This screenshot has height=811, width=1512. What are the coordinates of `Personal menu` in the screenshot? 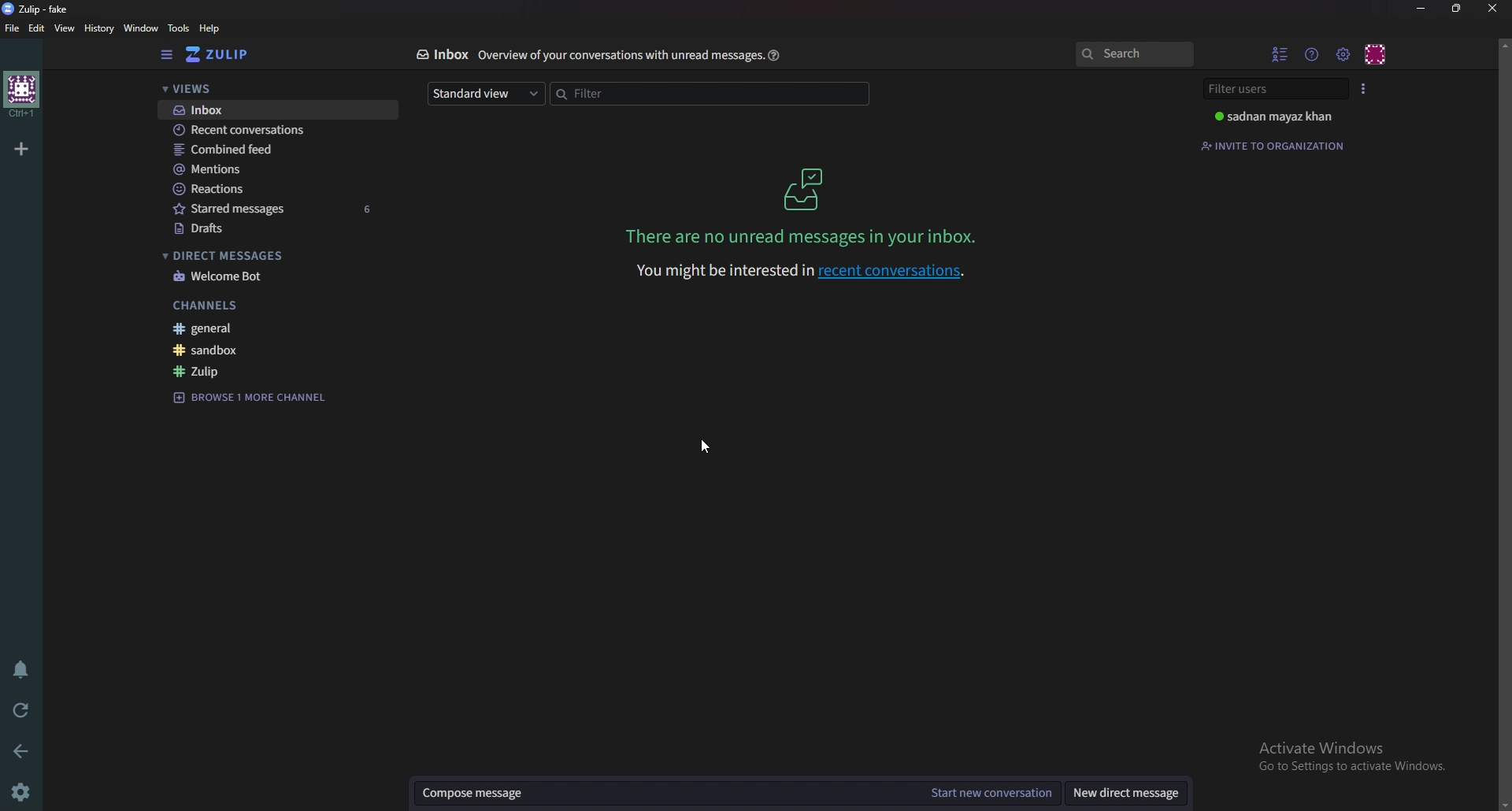 It's located at (1377, 55).